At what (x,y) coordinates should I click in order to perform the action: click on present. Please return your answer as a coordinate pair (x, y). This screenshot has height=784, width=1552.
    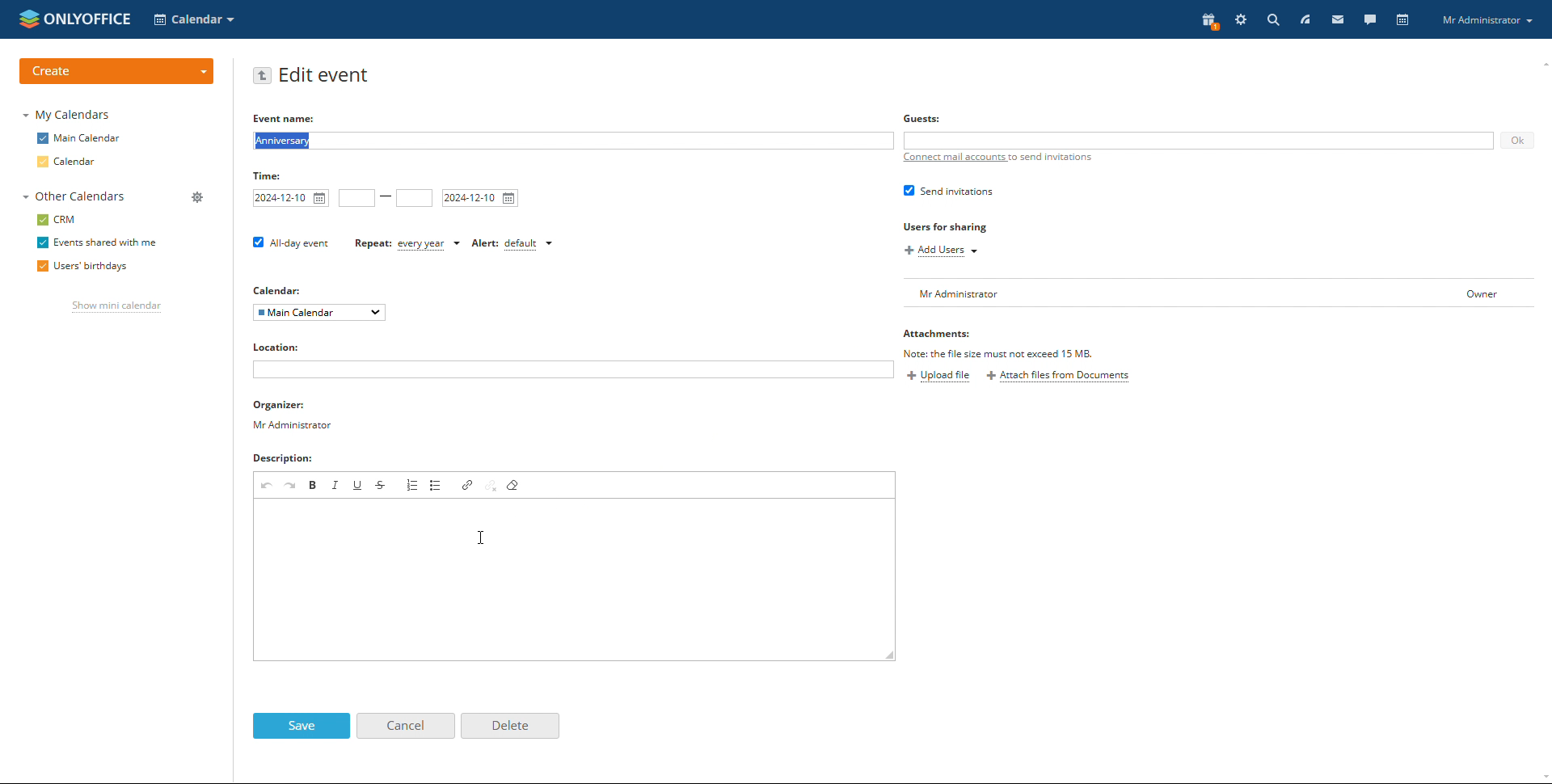
    Looking at the image, I should click on (1207, 22).